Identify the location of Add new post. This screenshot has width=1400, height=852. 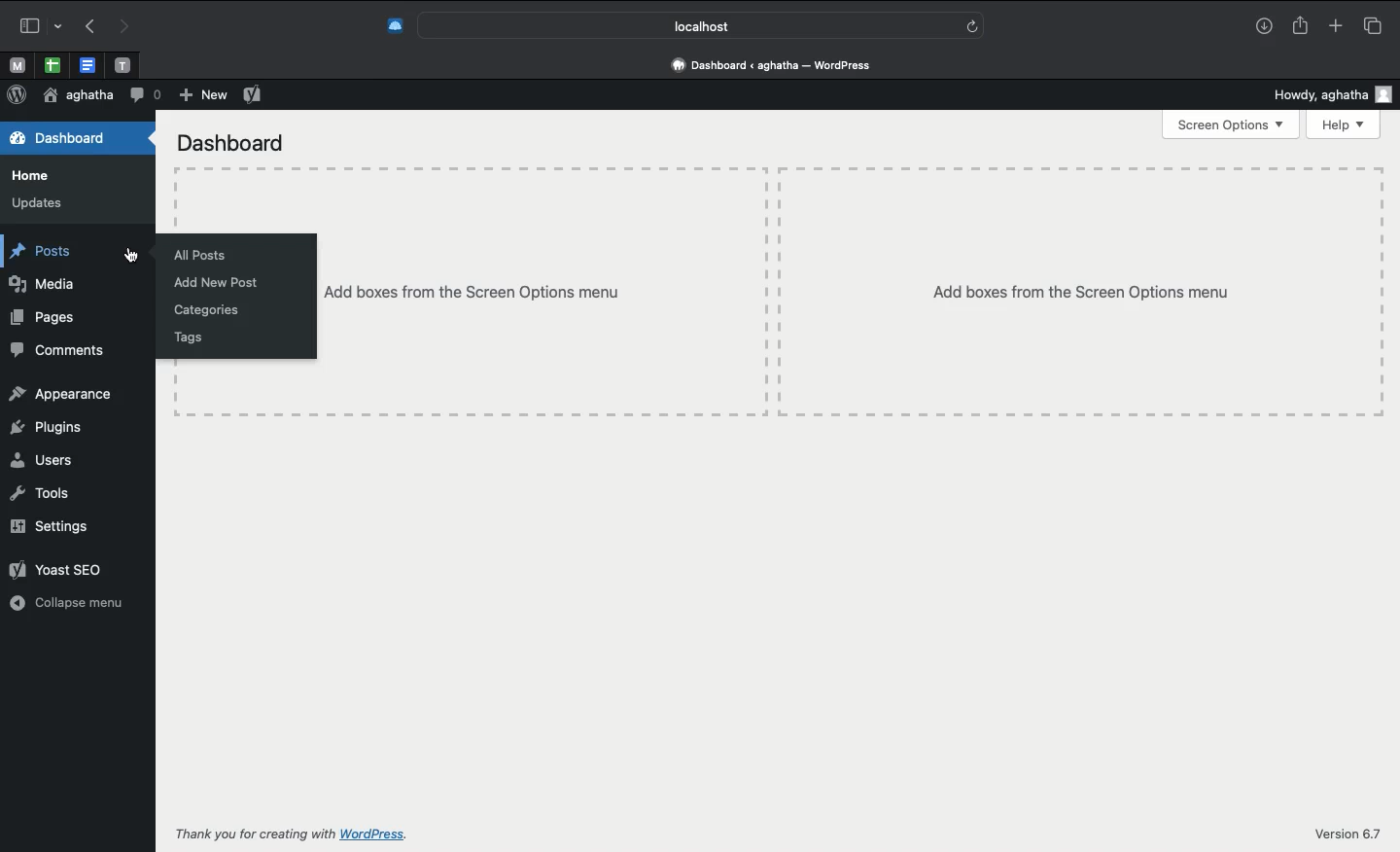
(221, 284).